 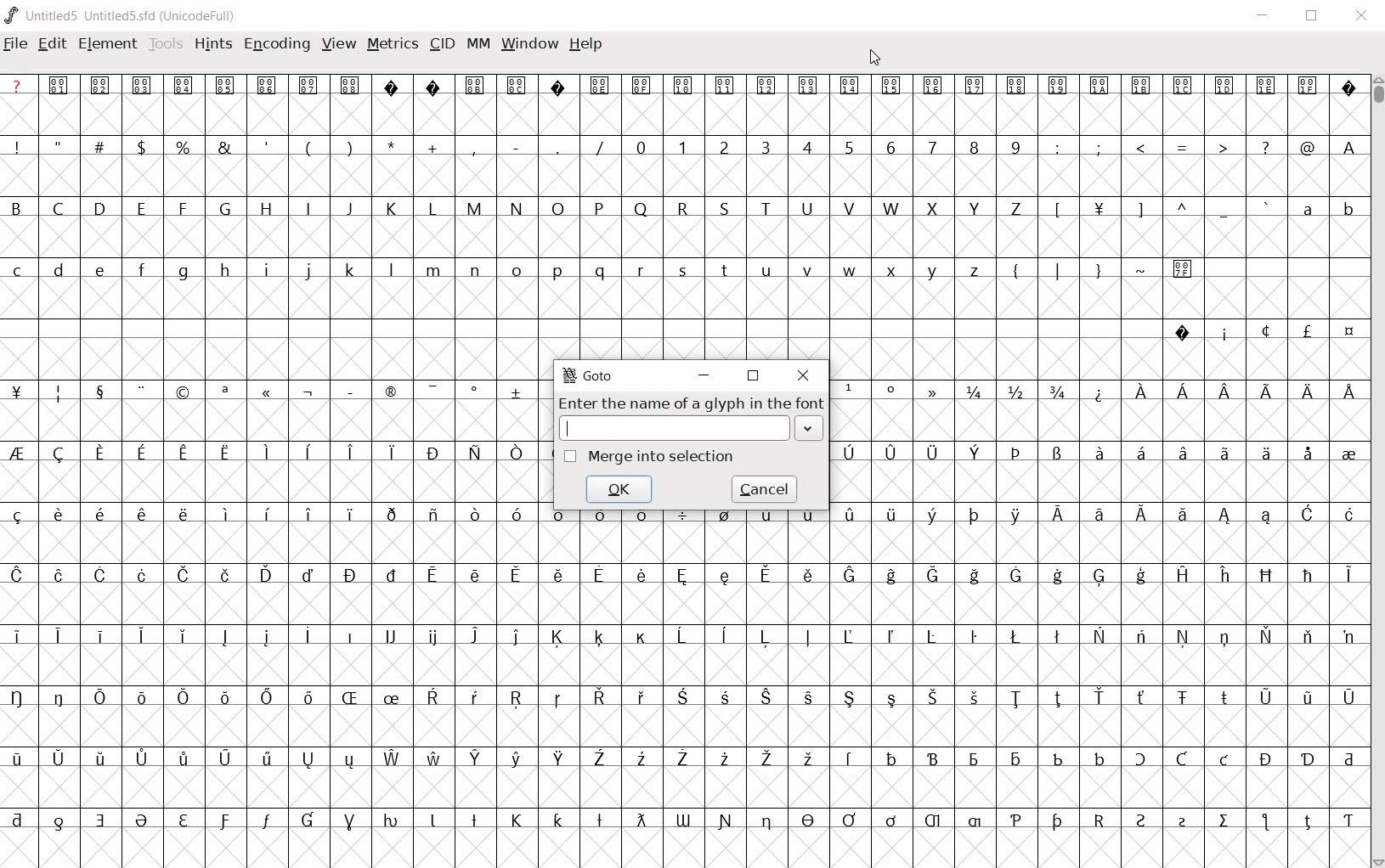 I want to click on `, so click(x=1264, y=208).